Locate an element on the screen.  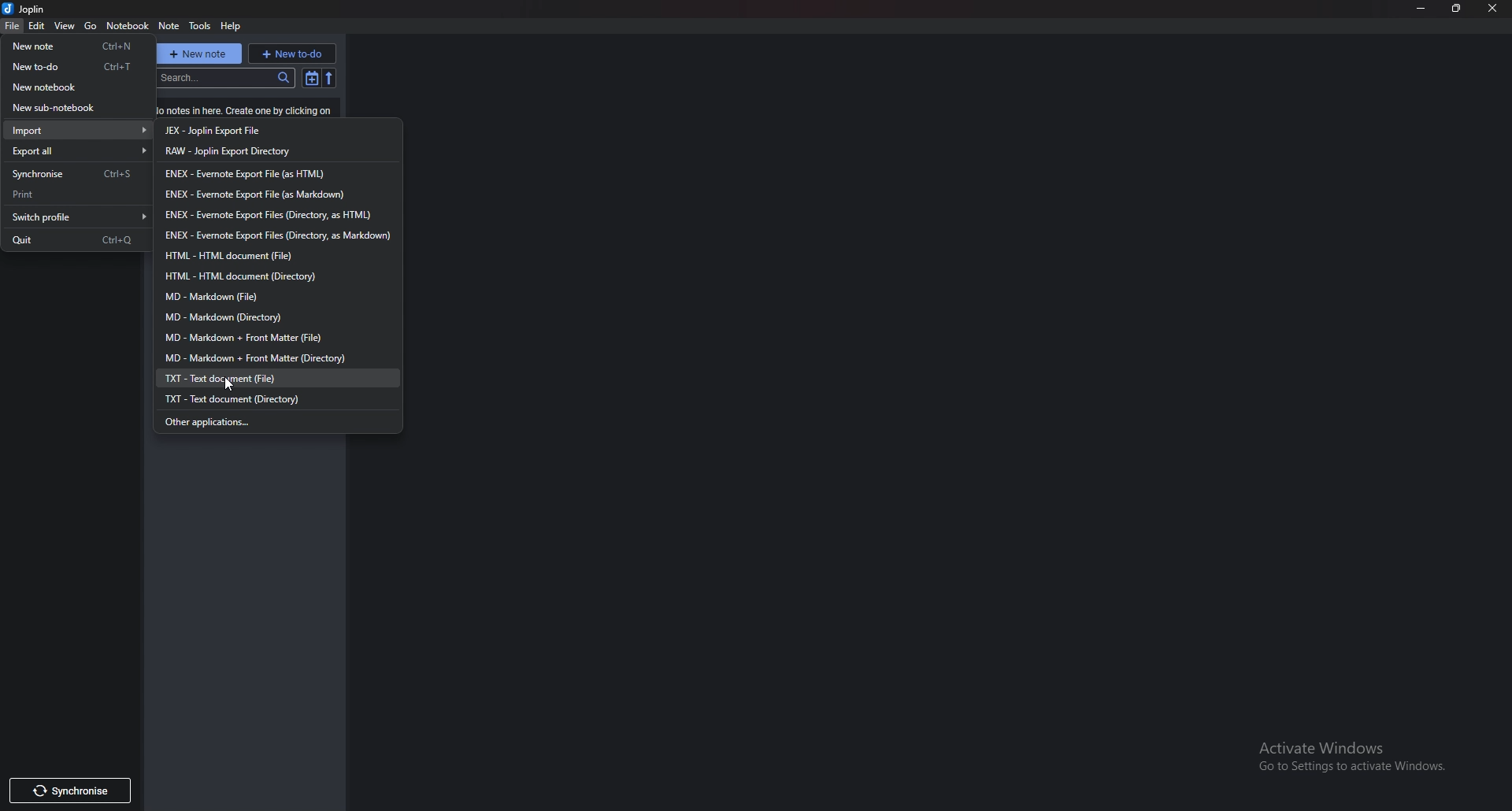
Notebook is located at coordinates (128, 26).